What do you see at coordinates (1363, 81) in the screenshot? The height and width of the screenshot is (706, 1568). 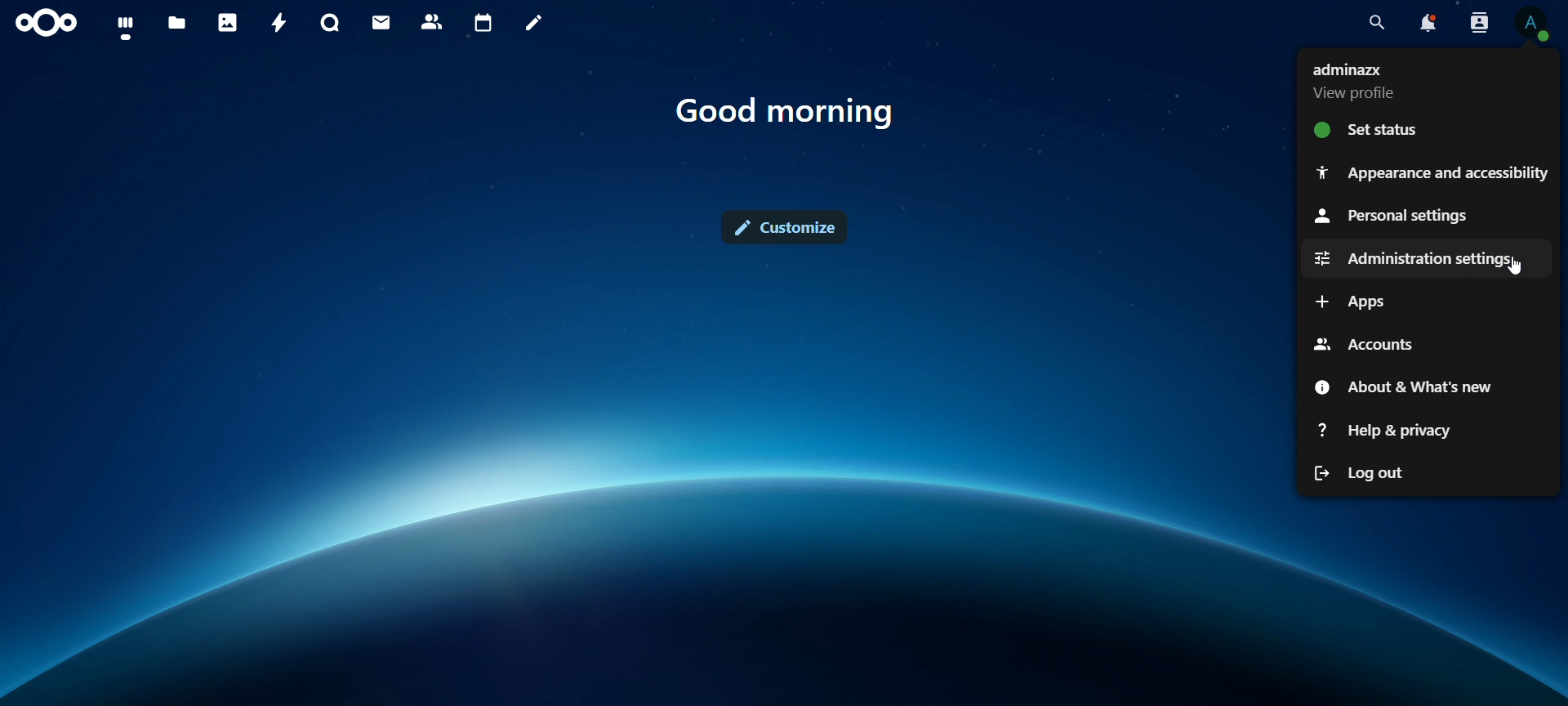 I see `view profile` at bounding box center [1363, 81].